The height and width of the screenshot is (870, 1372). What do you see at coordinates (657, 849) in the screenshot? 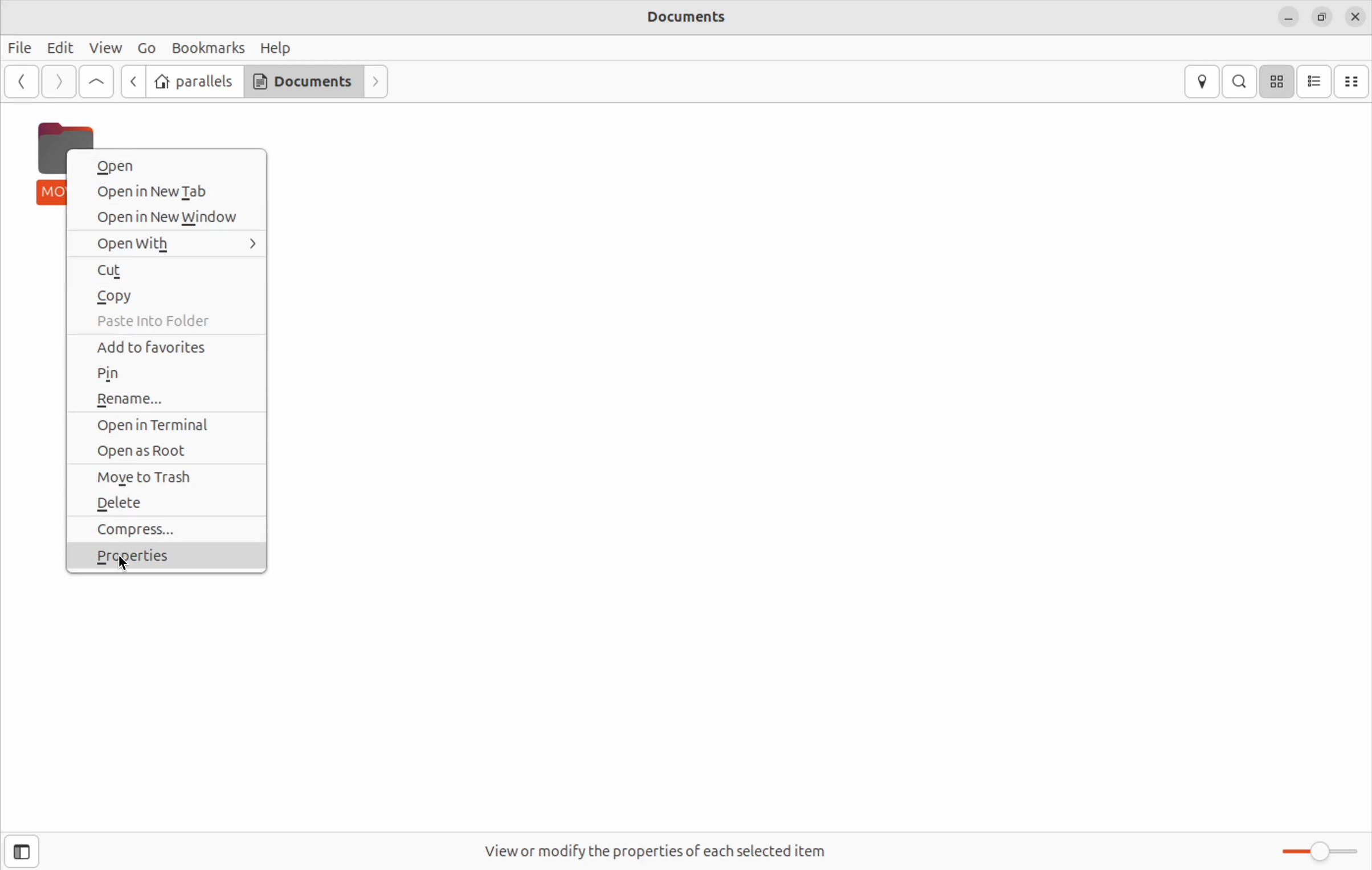
I see `View or modify the properties of each selected item` at bounding box center [657, 849].